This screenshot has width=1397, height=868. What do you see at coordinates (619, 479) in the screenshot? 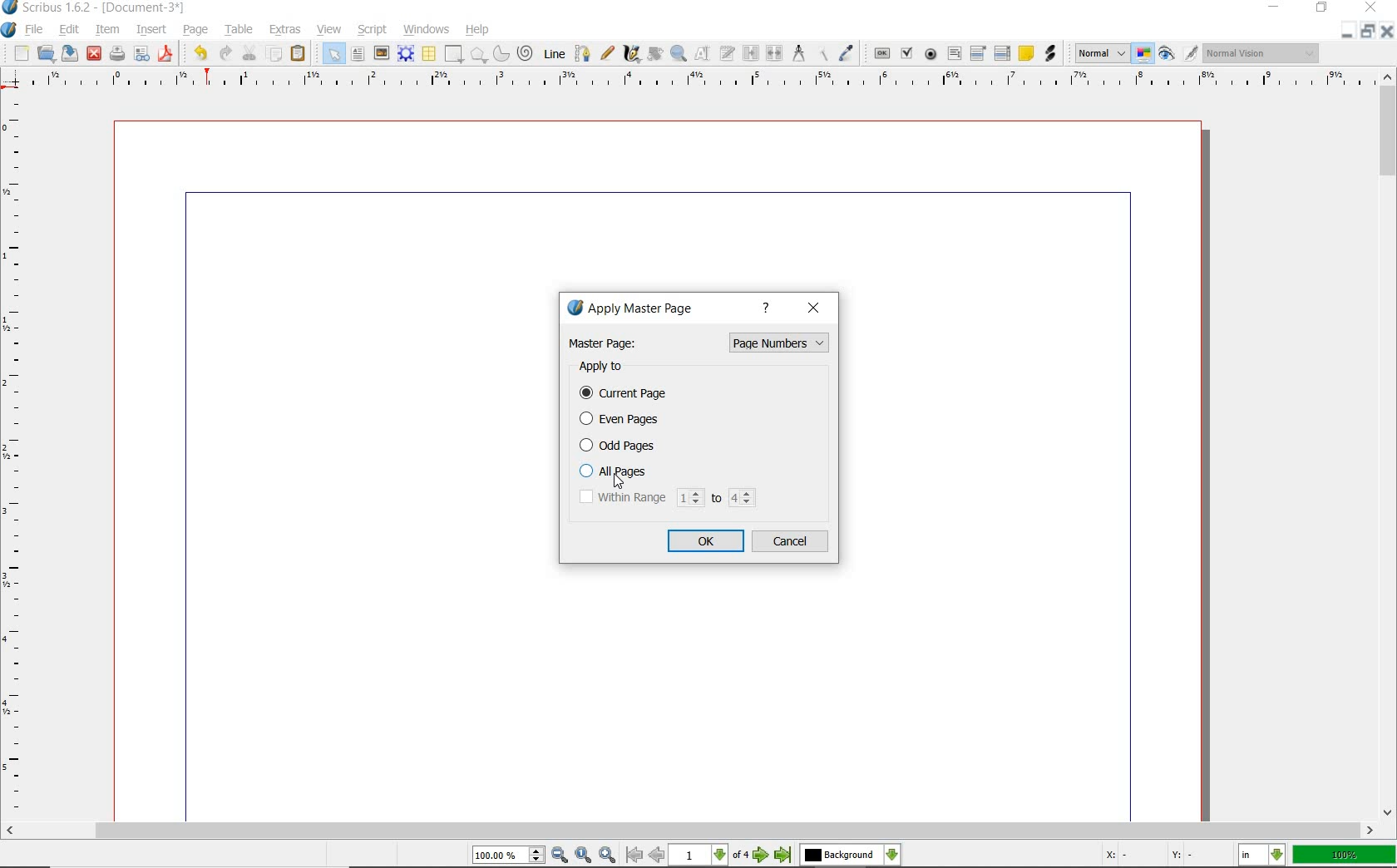
I see `Cursor Position` at bounding box center [619, 479].